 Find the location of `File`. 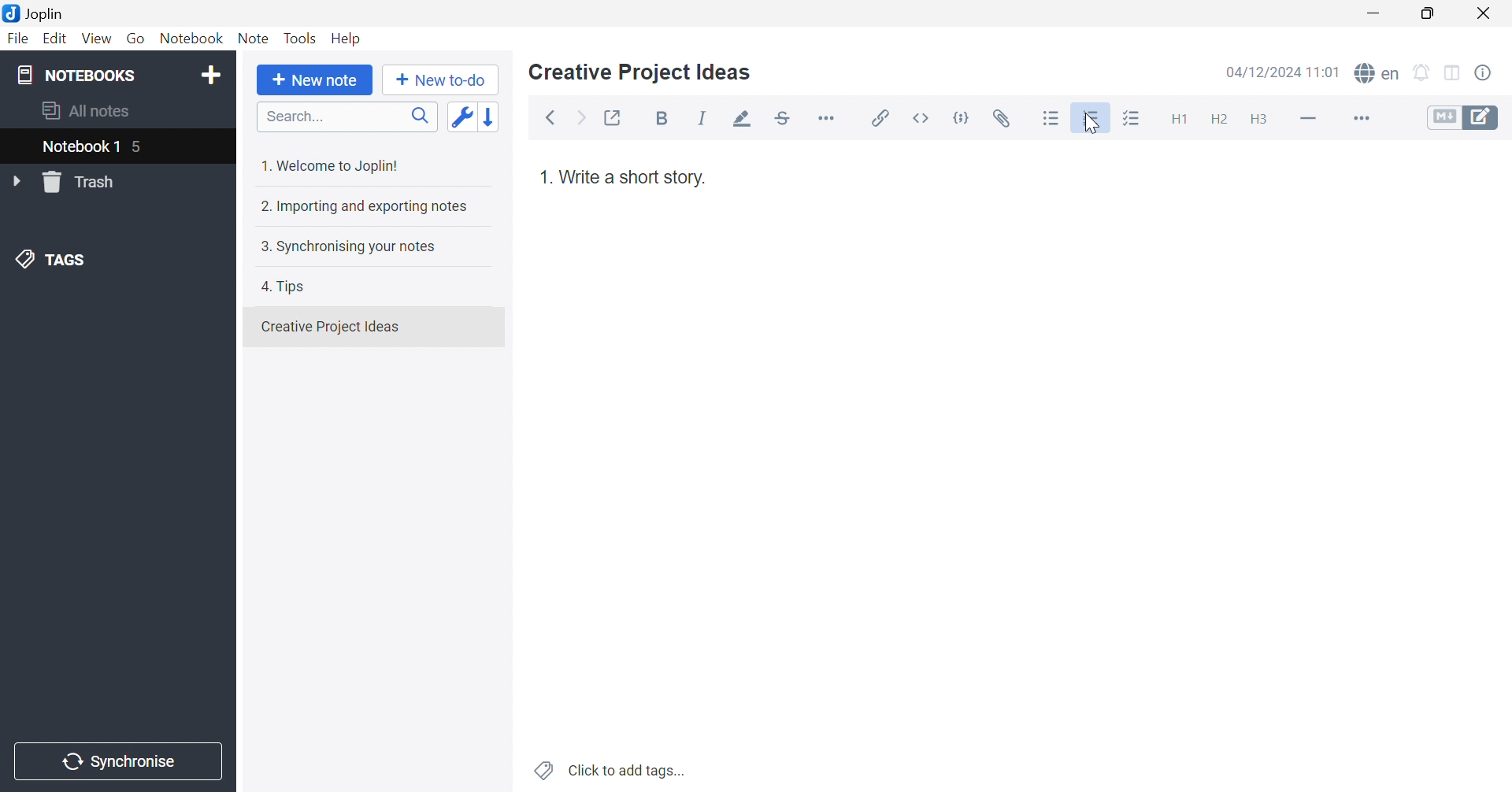

File is located at coordinates (17, 41).